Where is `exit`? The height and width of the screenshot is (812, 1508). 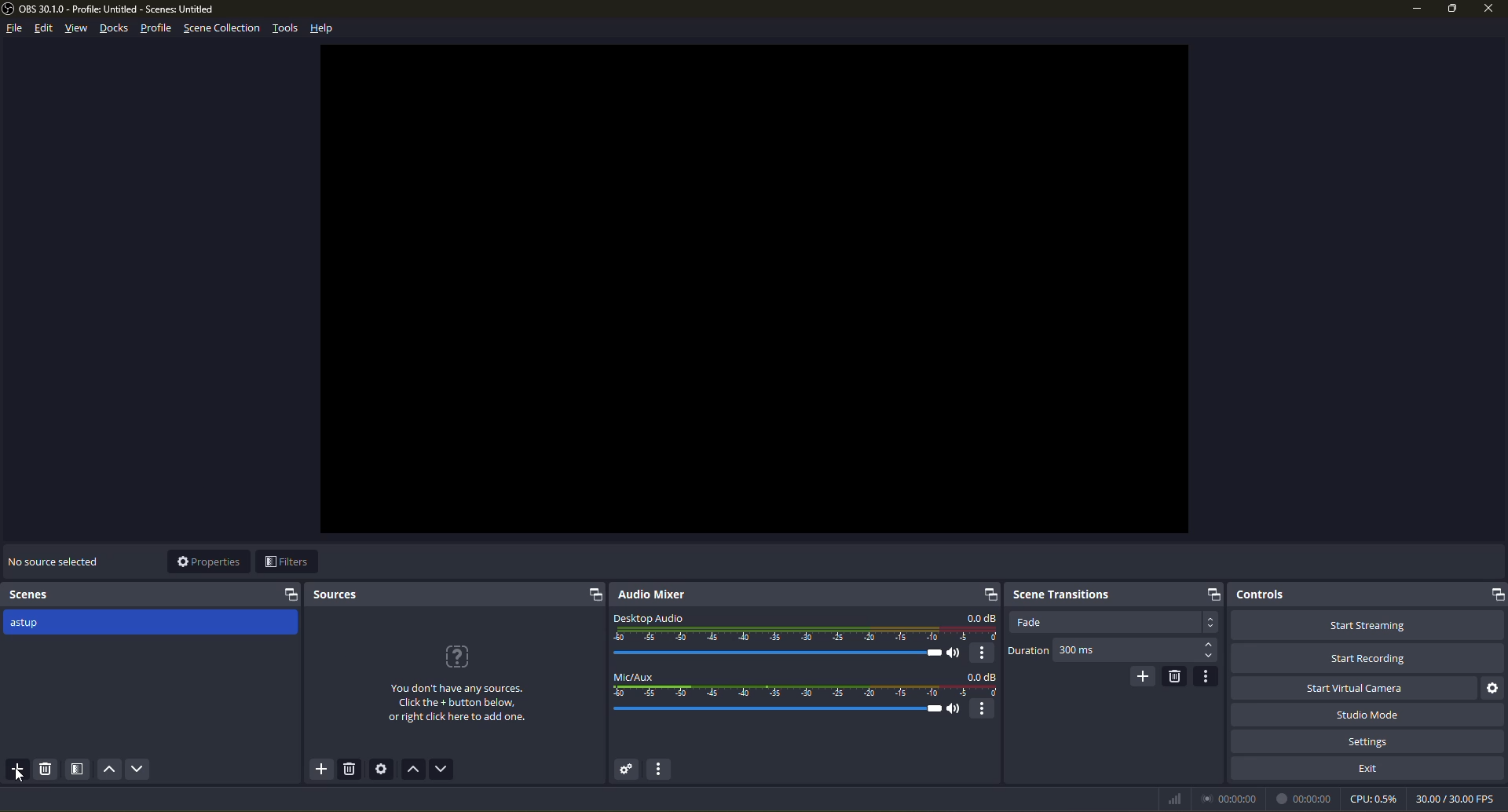
exit is located at coordinates (1370, 768).